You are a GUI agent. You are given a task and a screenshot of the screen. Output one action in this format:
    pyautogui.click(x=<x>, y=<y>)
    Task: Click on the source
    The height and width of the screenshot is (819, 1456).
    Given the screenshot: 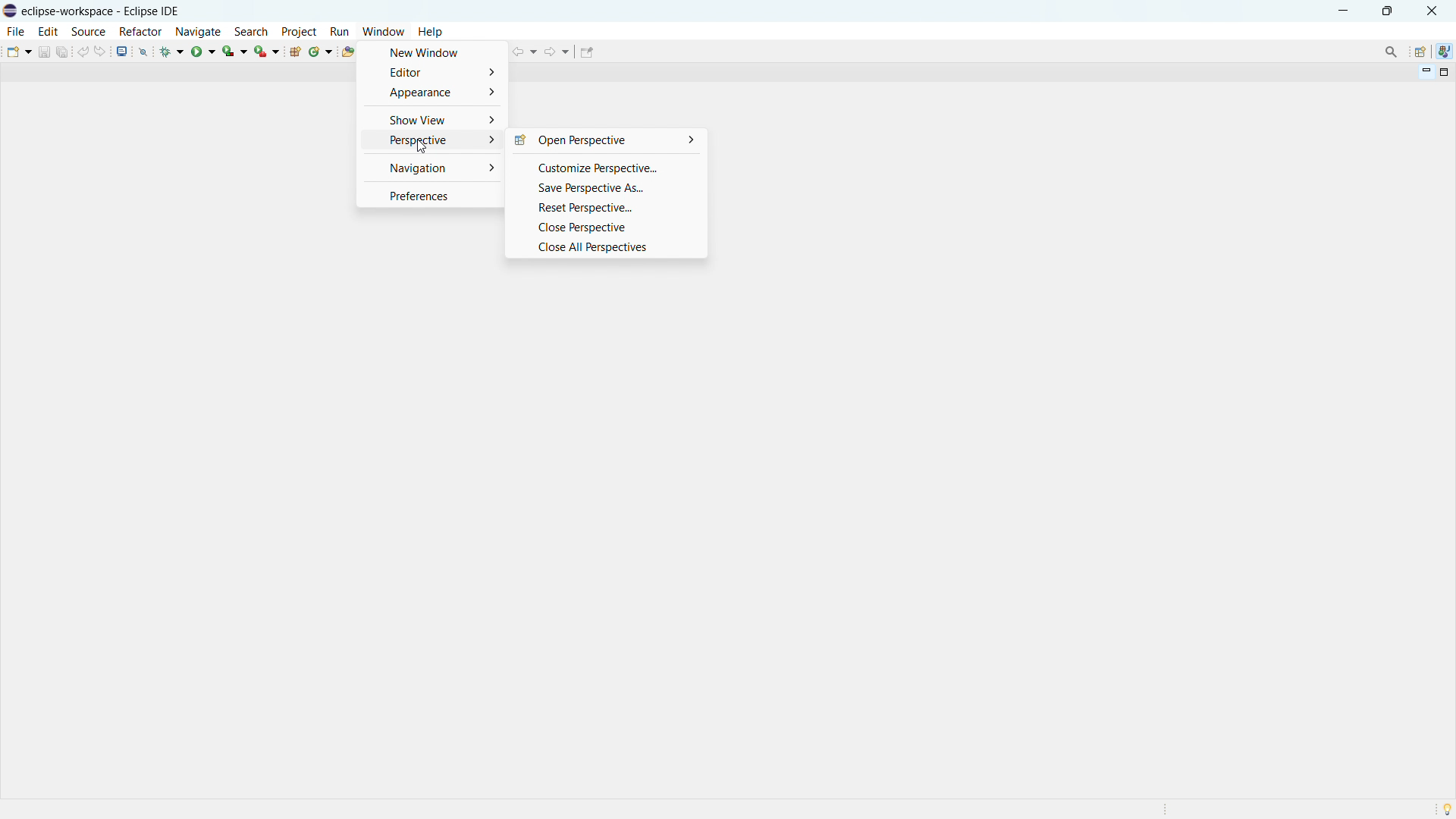 What is the action you would take?
    pyautogui.click(x=88, y=32)
    